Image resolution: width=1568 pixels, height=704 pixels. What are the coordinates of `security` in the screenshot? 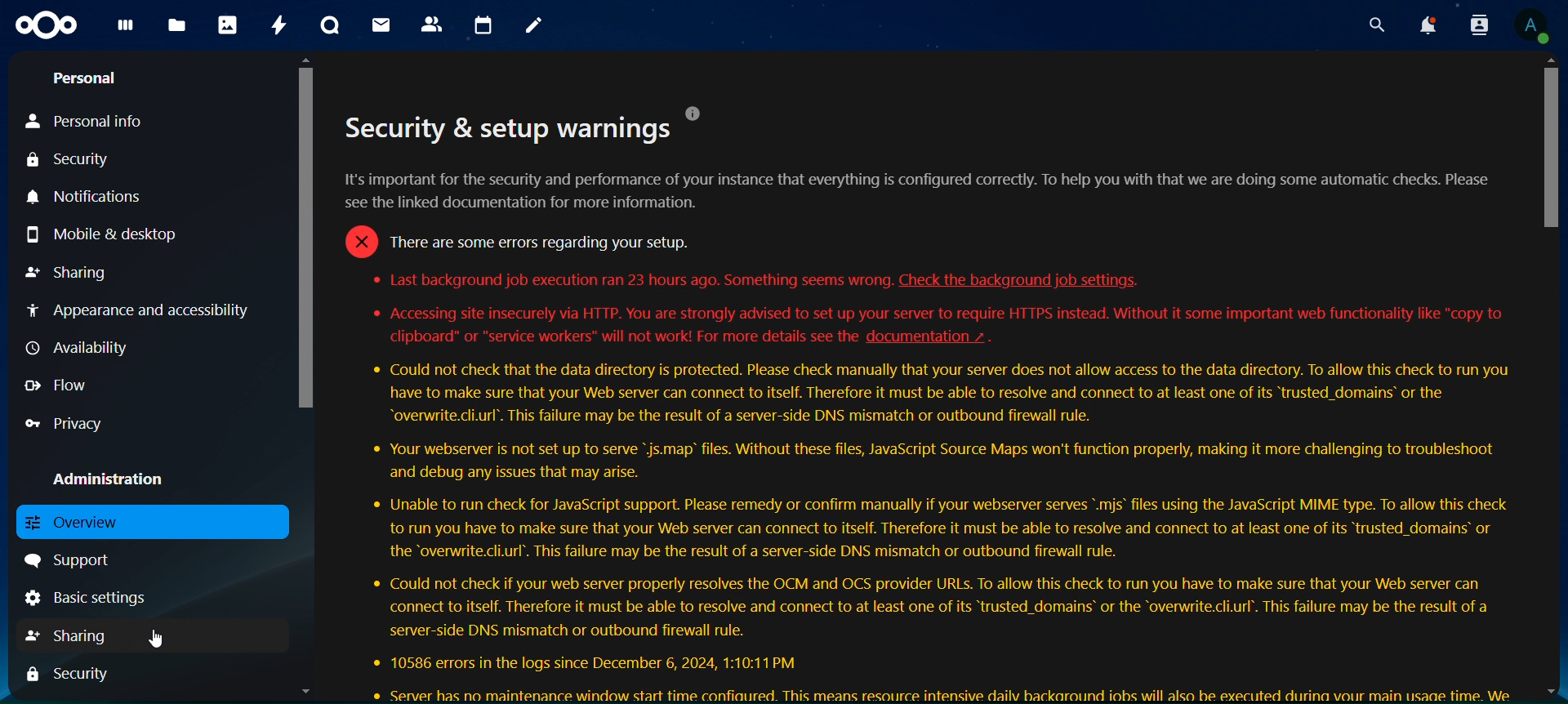 It's located at (69, 160).